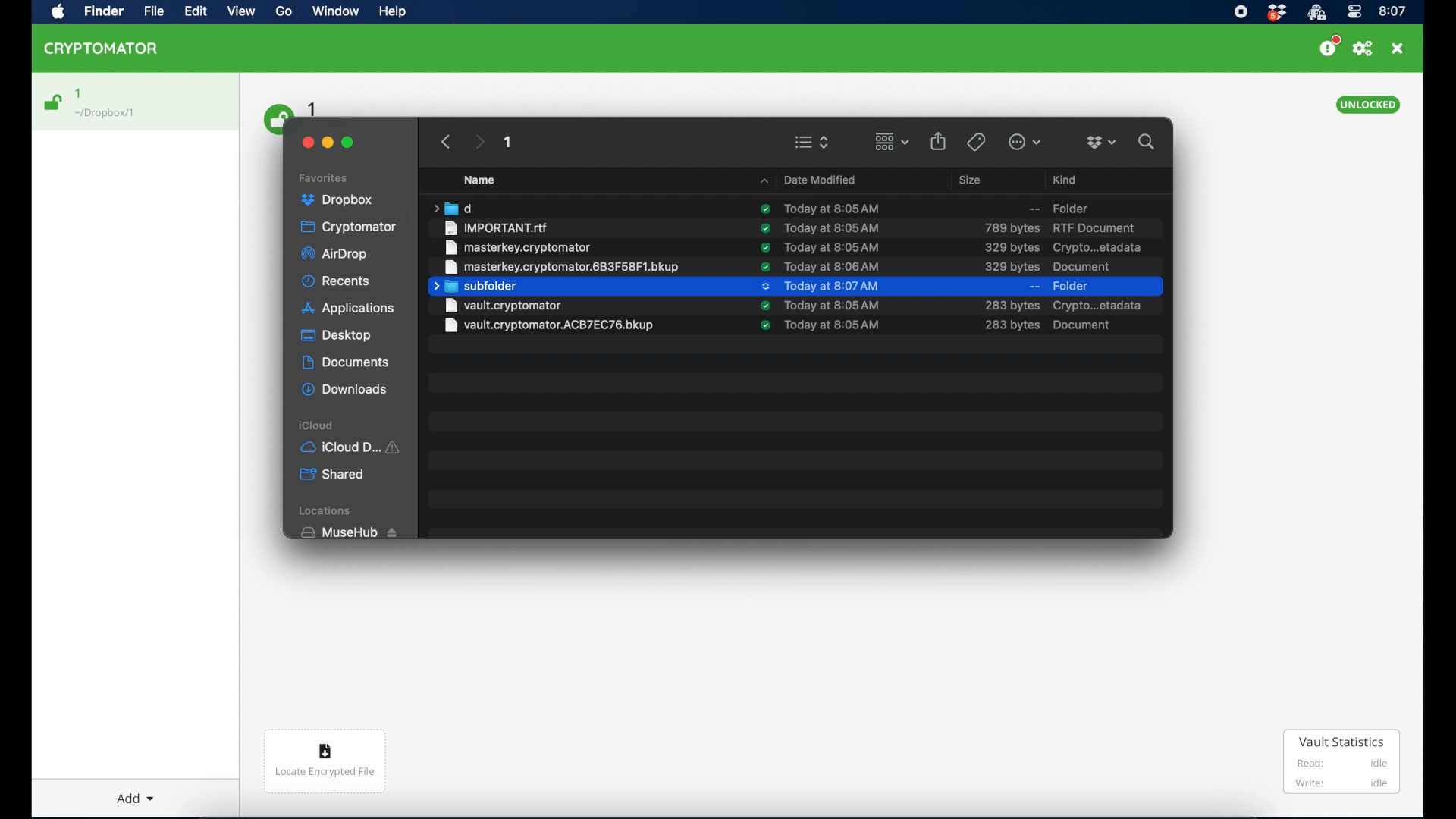 The height and width of the screenshot is (819, 1456). I want to click on Date, so click(836, 327).